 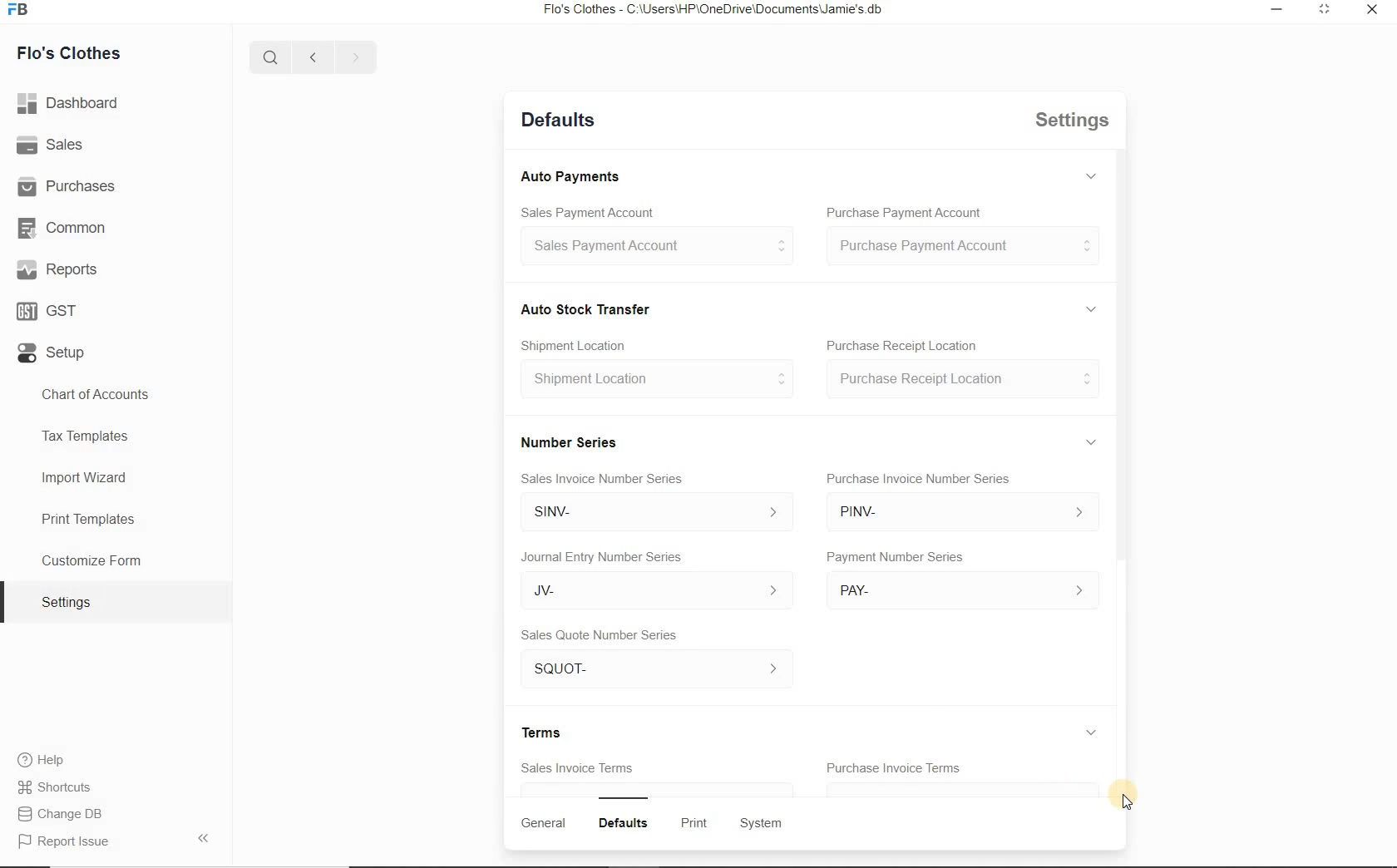 I want to click on Expand, so click(x=1088, y=248).